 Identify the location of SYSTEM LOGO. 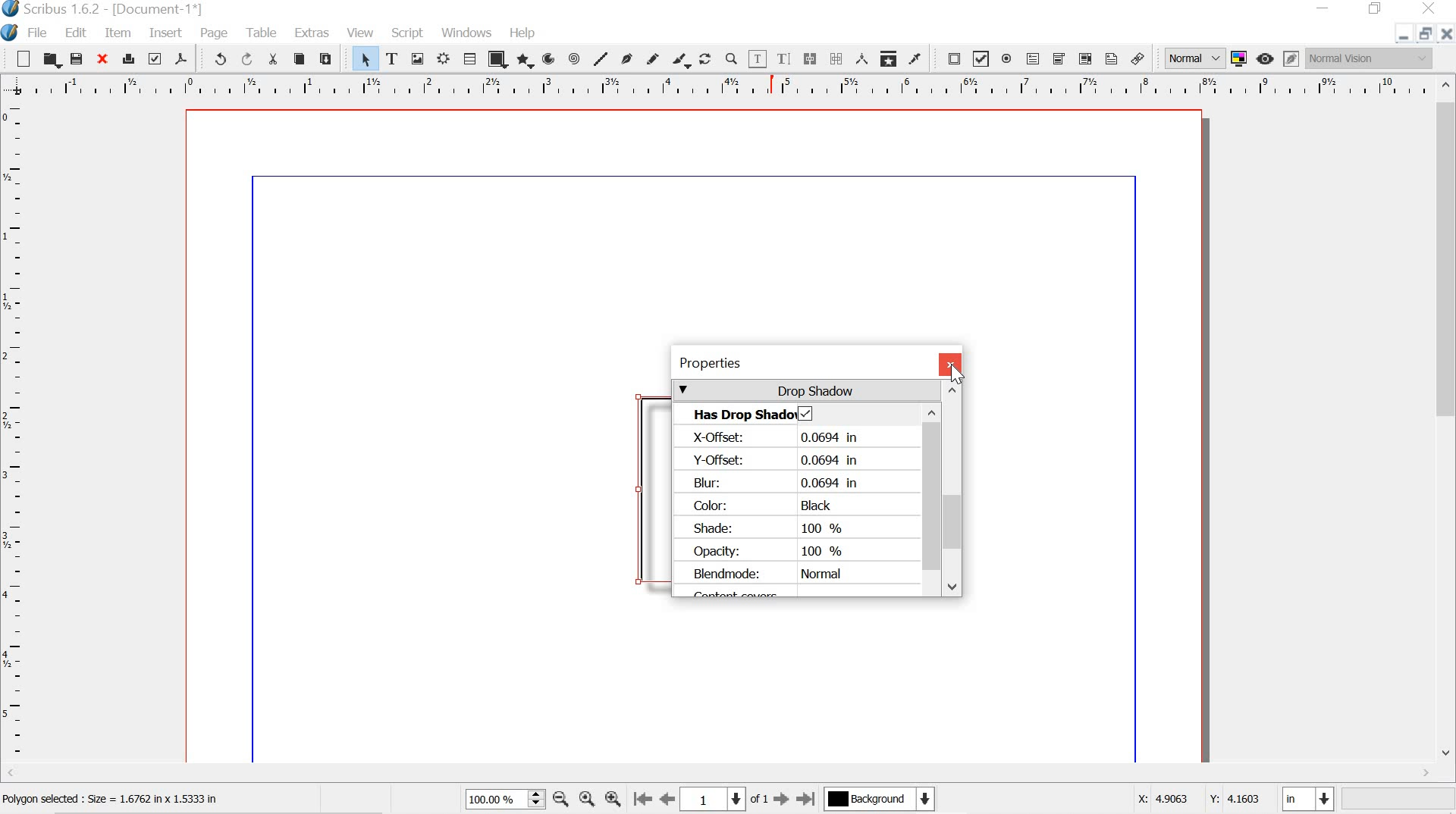
(12, 31).